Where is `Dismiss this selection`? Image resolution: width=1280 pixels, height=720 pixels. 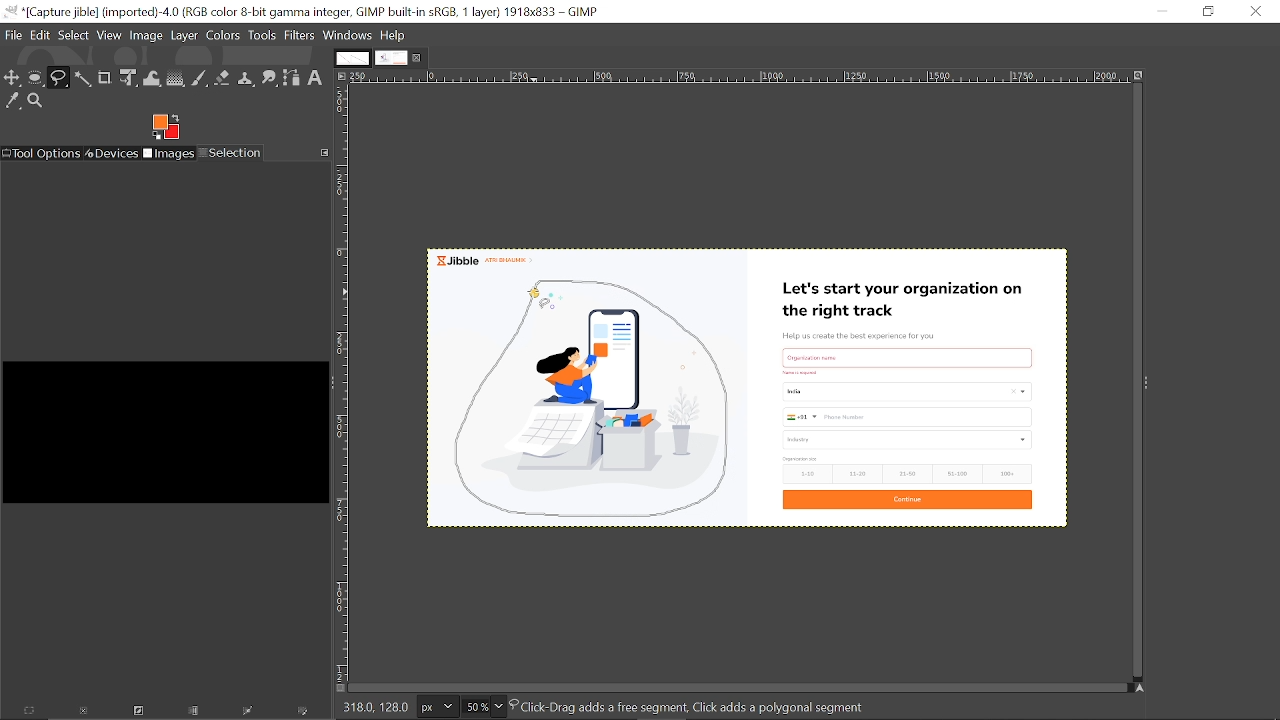 Dismiss this selection is located at coordinates (82, 713).